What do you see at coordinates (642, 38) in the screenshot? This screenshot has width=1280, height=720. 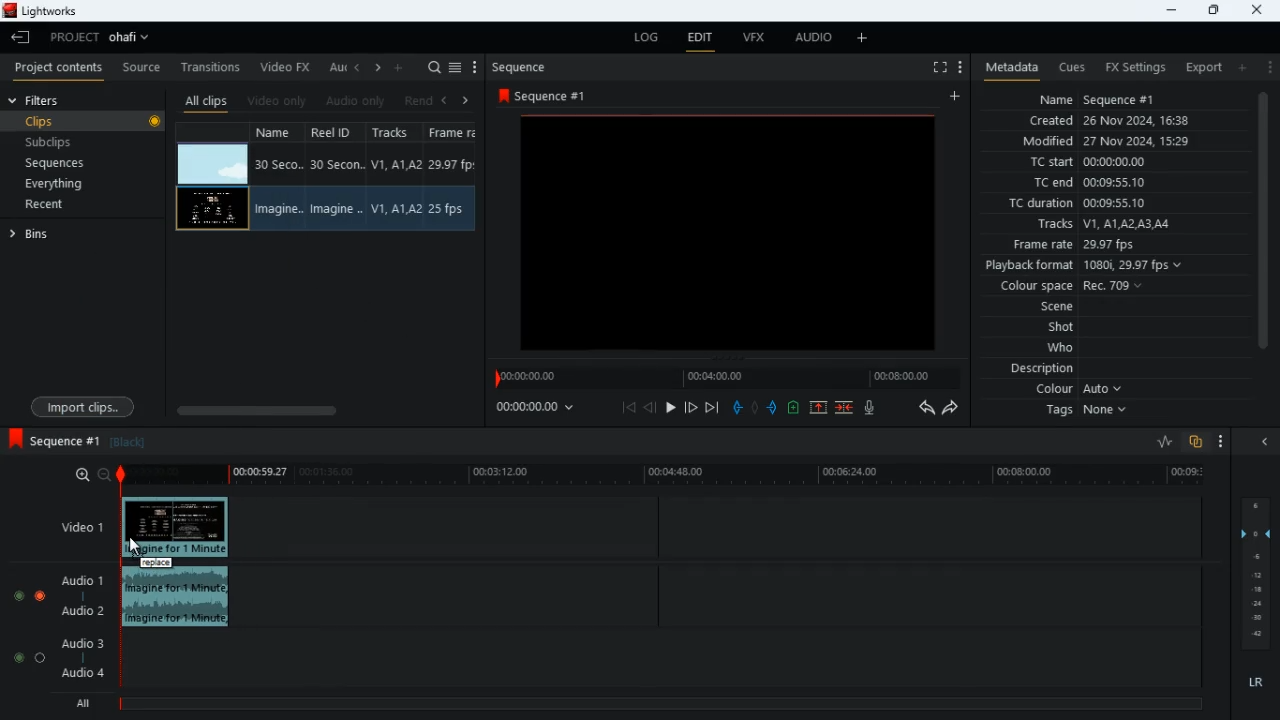 I see `log` at bounding box center [642, 38].